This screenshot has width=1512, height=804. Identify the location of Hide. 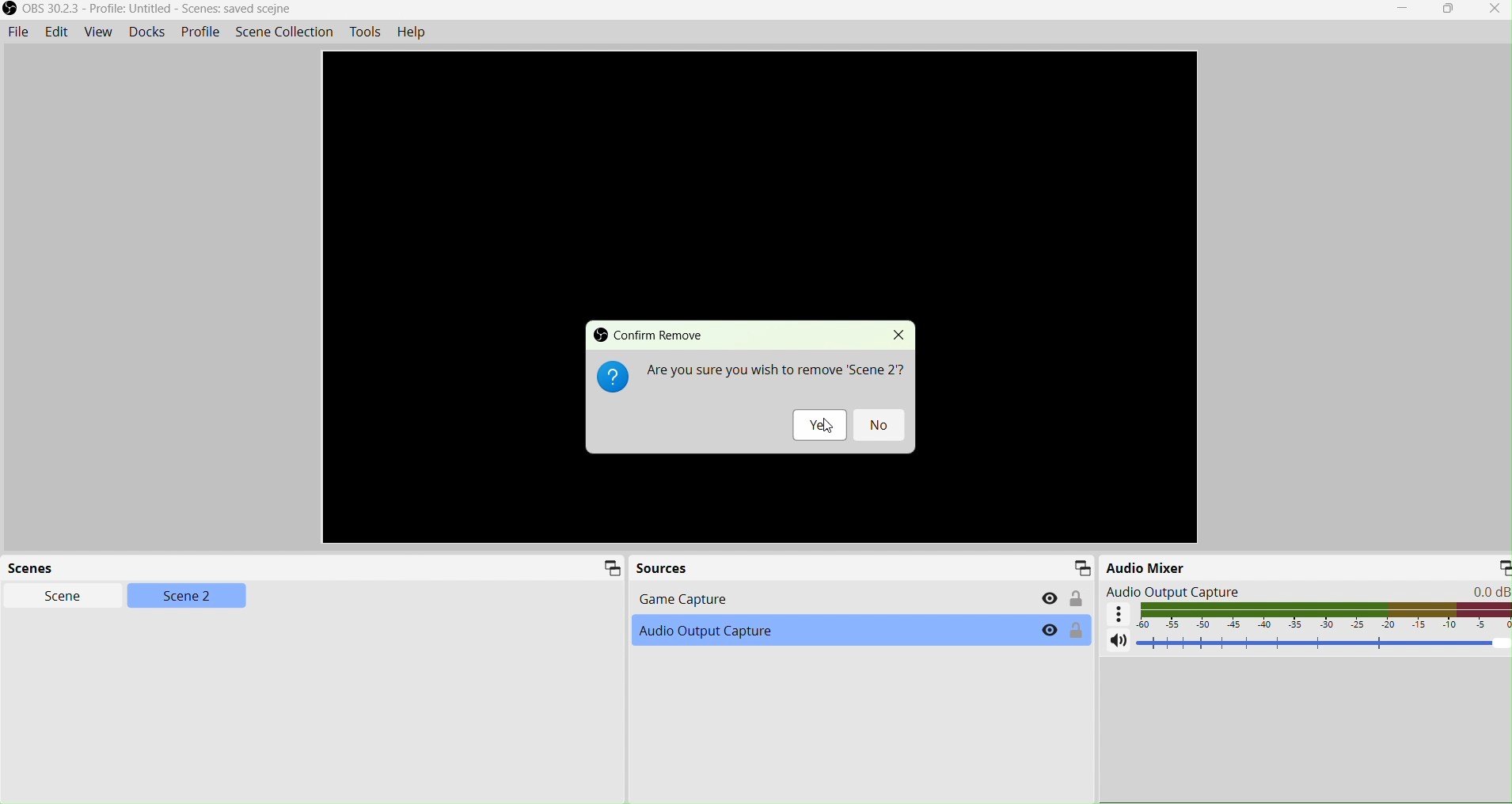
(1050, 631).